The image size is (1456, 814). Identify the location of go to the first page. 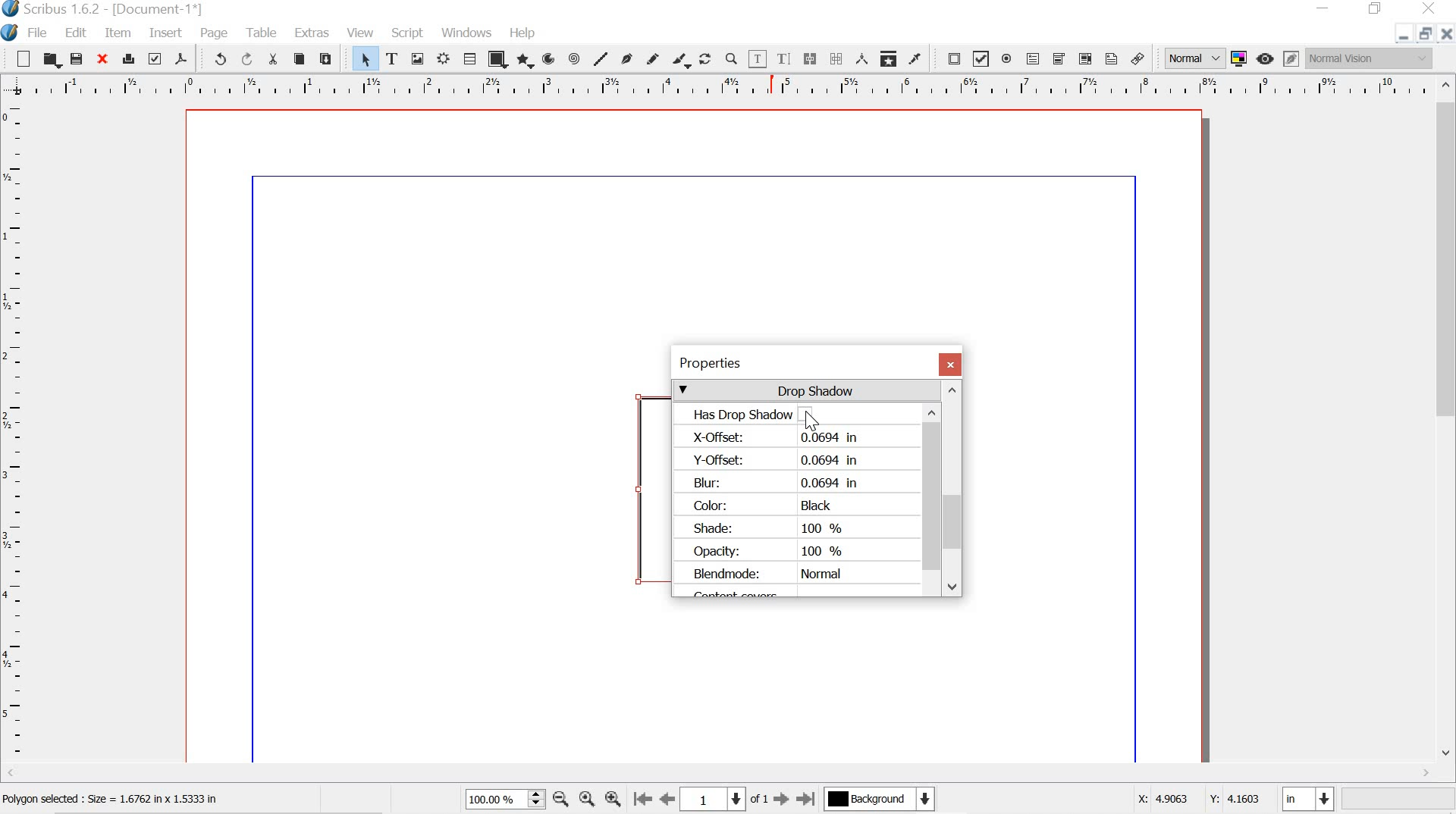
(643, 800).